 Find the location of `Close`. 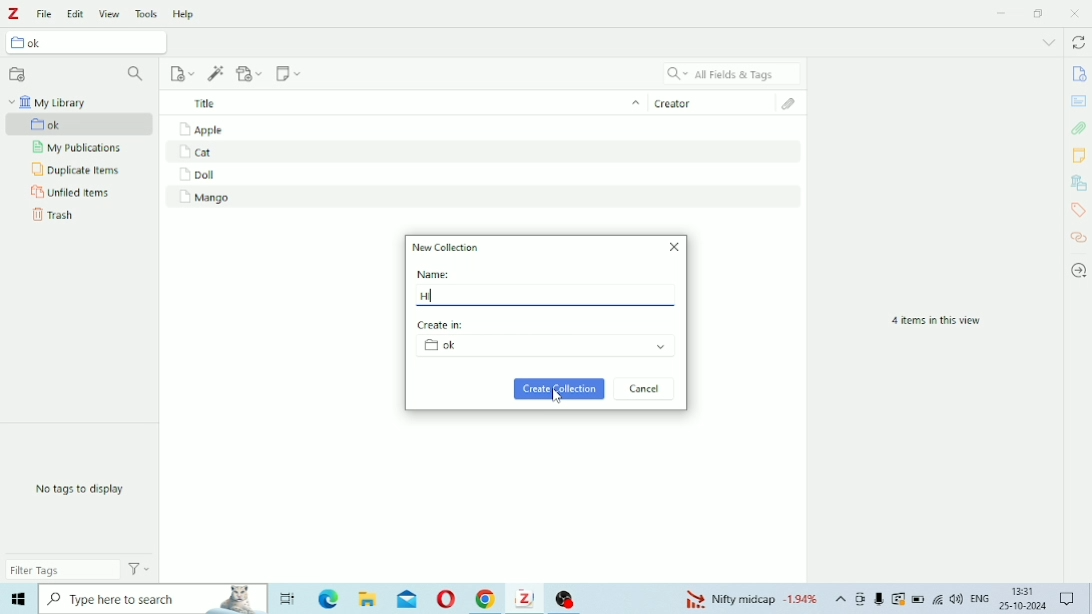

Close is located at coordinates (1074, 13).